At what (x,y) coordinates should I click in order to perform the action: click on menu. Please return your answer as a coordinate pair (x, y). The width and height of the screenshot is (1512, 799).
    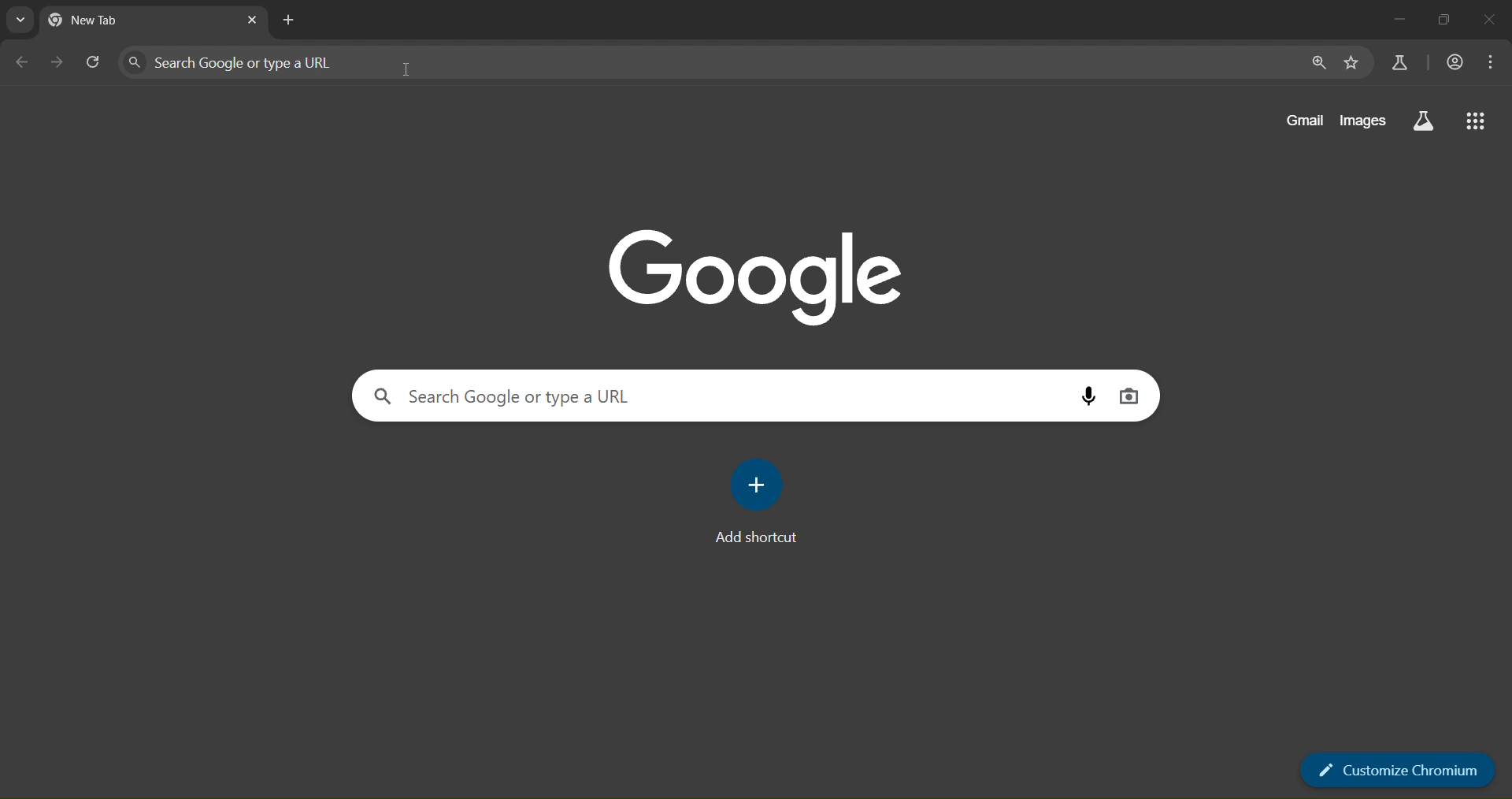
    Looking at the image, I should click on (1494, 63).